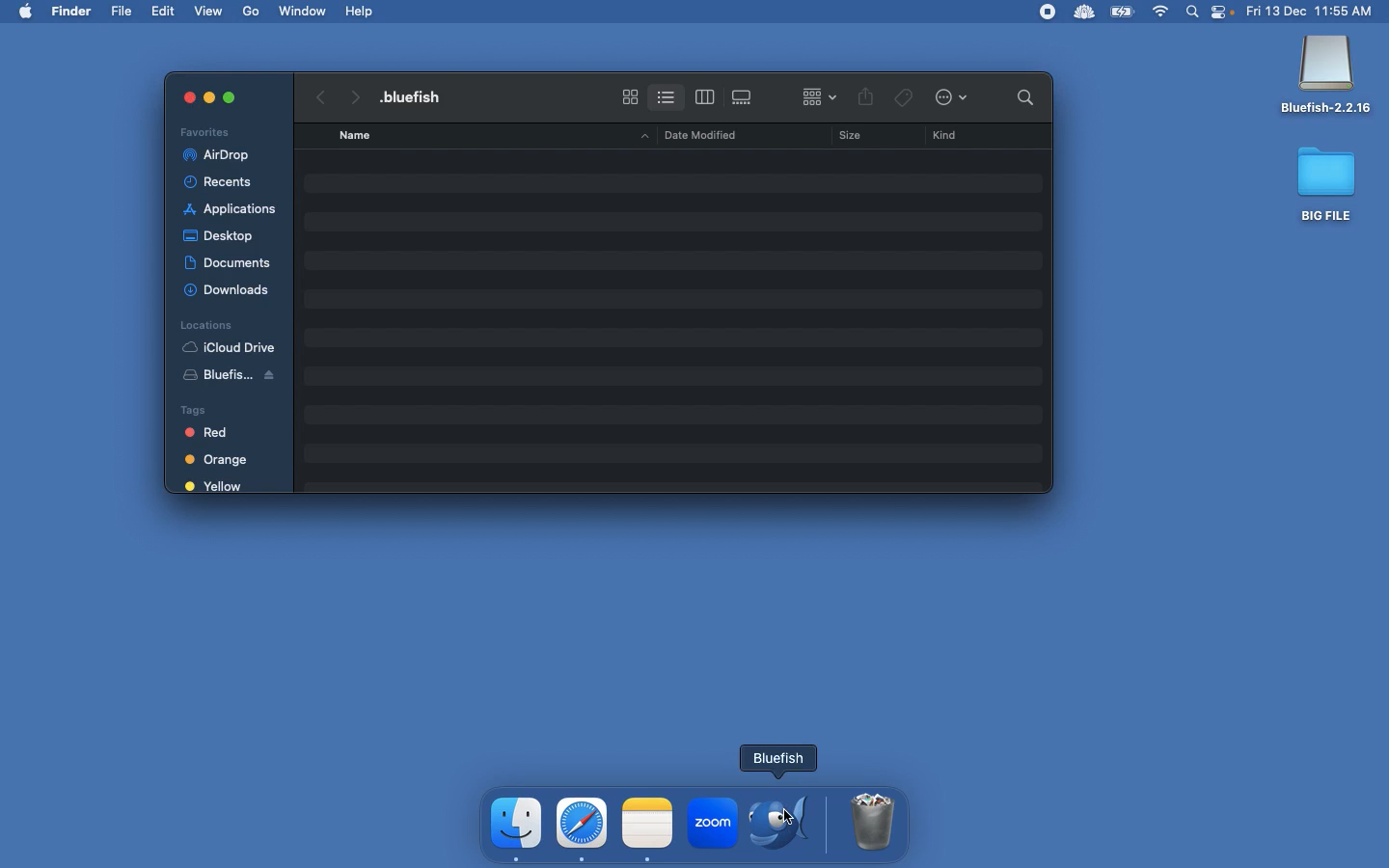  I want to click on View, so click(210, 10).